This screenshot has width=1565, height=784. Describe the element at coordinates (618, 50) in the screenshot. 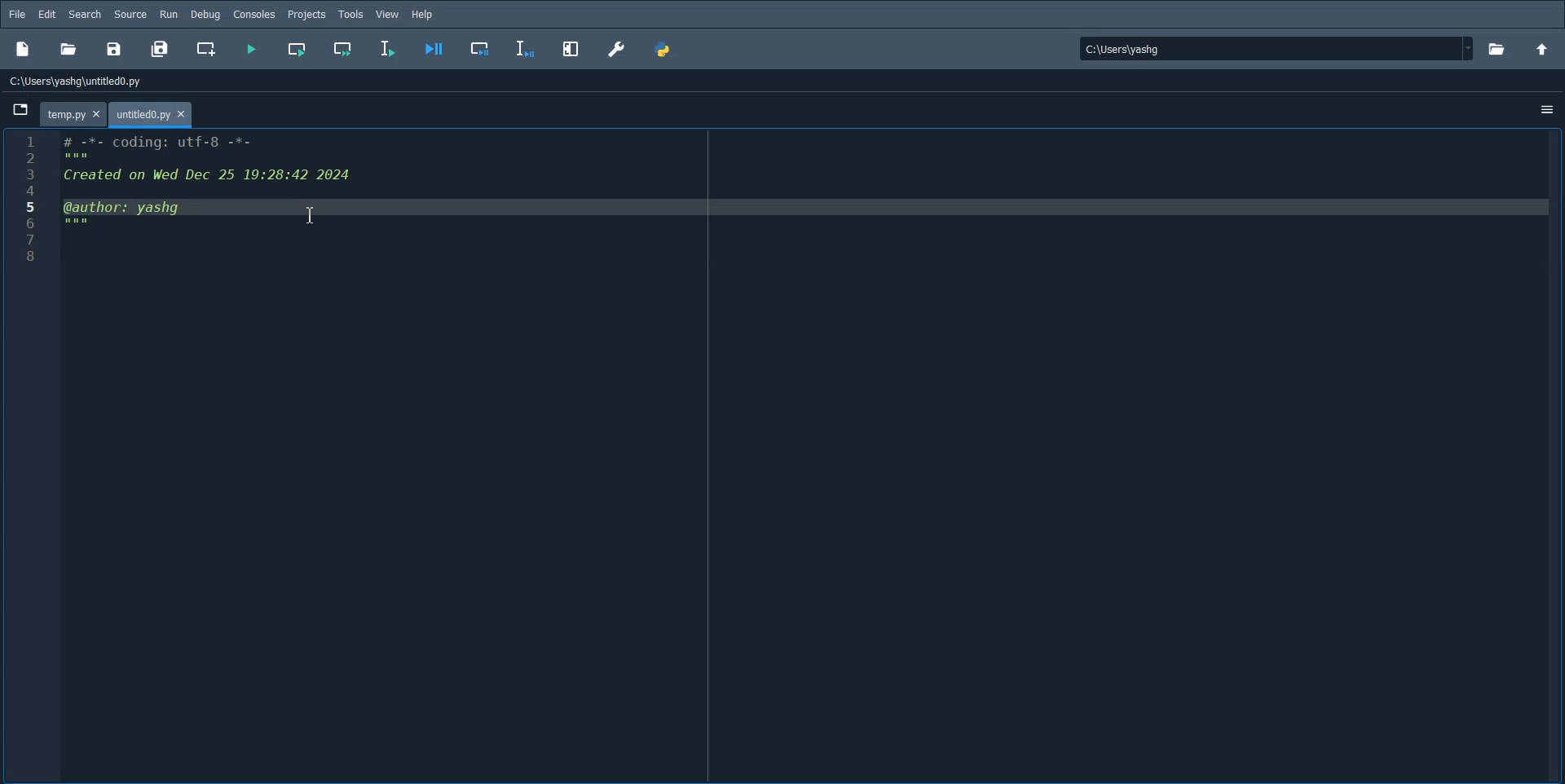

I see `Preferences` at that location.